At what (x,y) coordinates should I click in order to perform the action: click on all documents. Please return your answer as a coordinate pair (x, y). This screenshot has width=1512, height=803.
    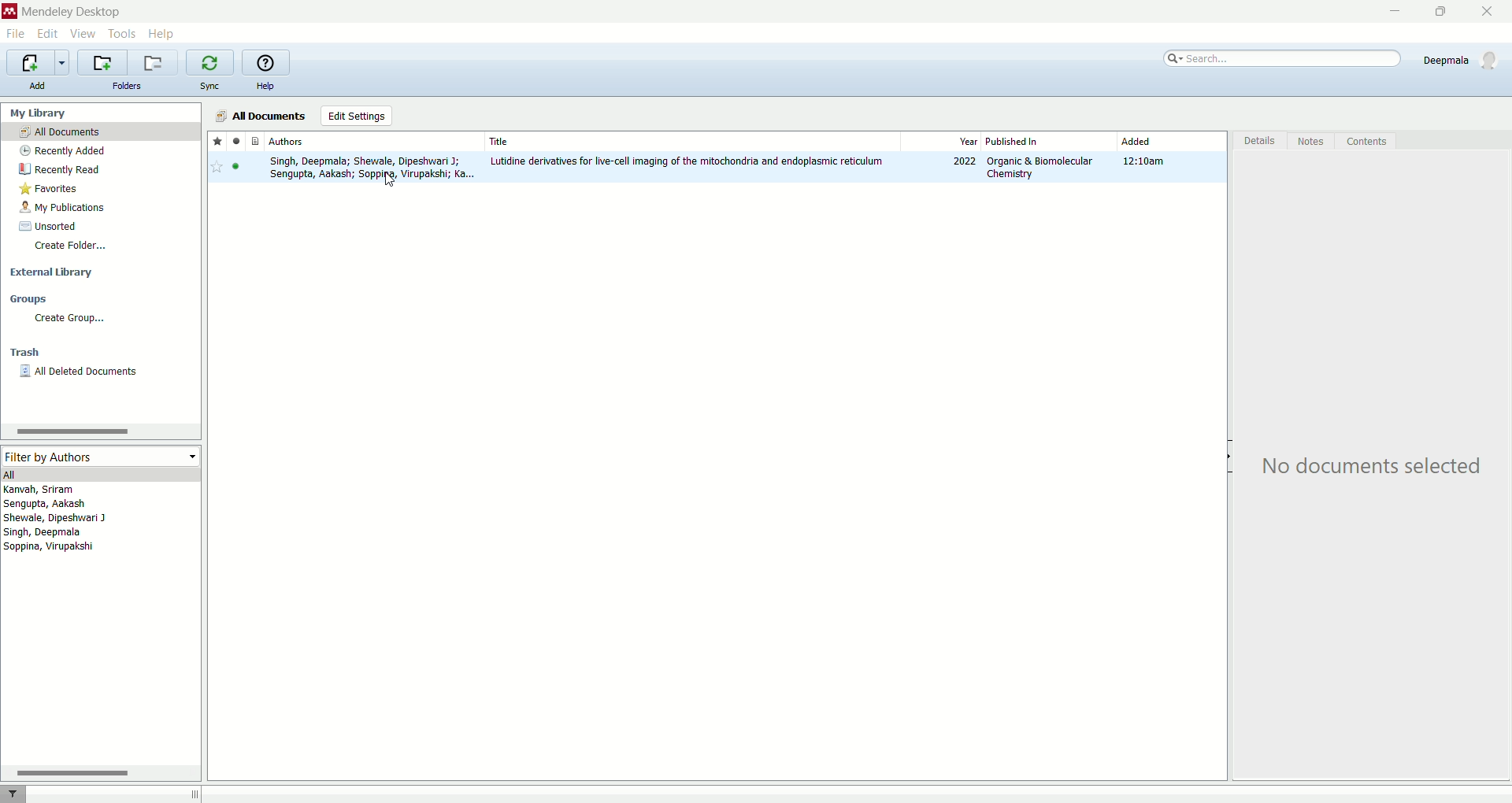
    Looking at the image, I should click on (100, 131).